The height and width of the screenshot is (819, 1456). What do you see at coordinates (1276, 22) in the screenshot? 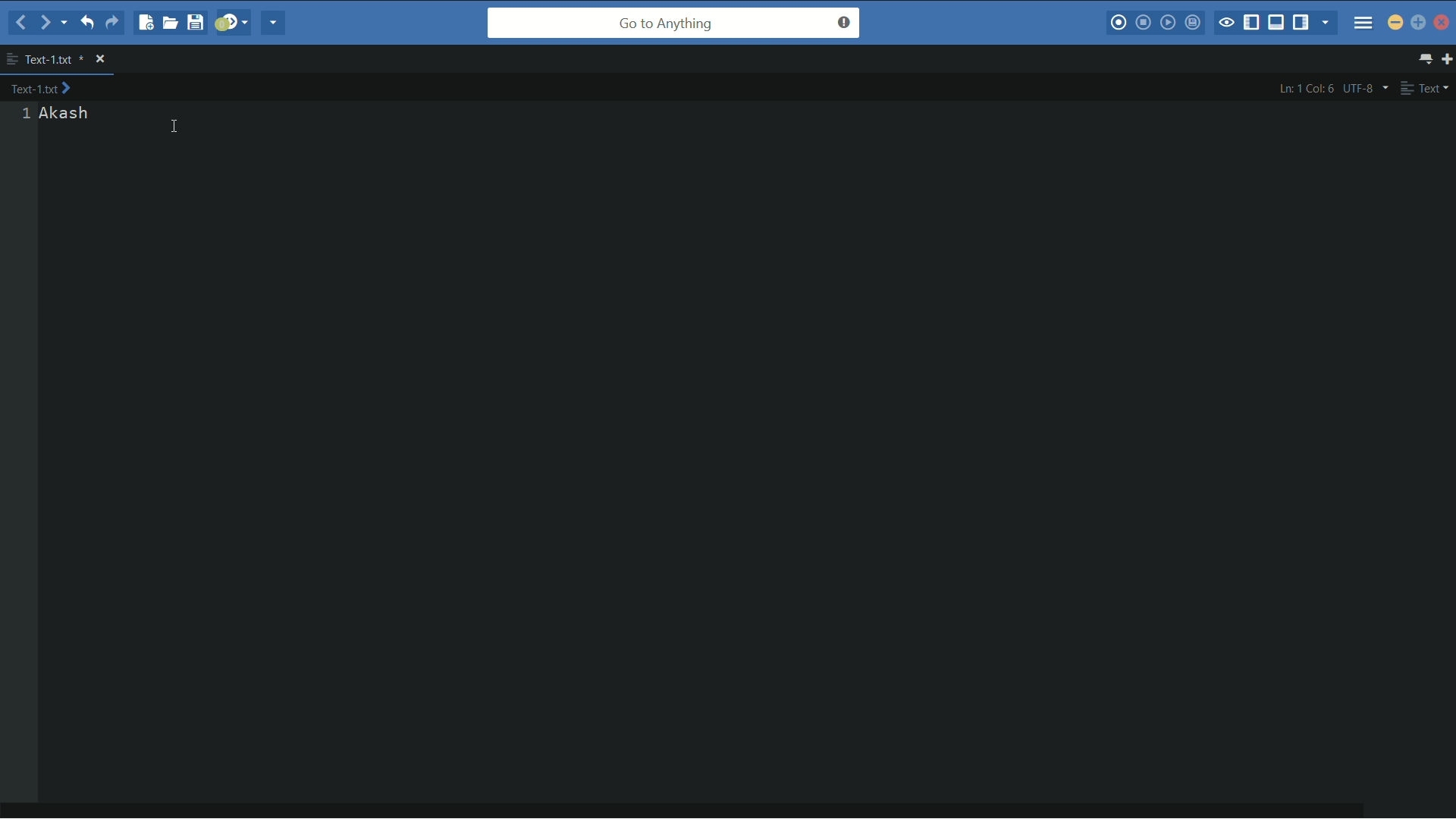
I see `show/hide bottom panel` at bounding box center [1276, 22].